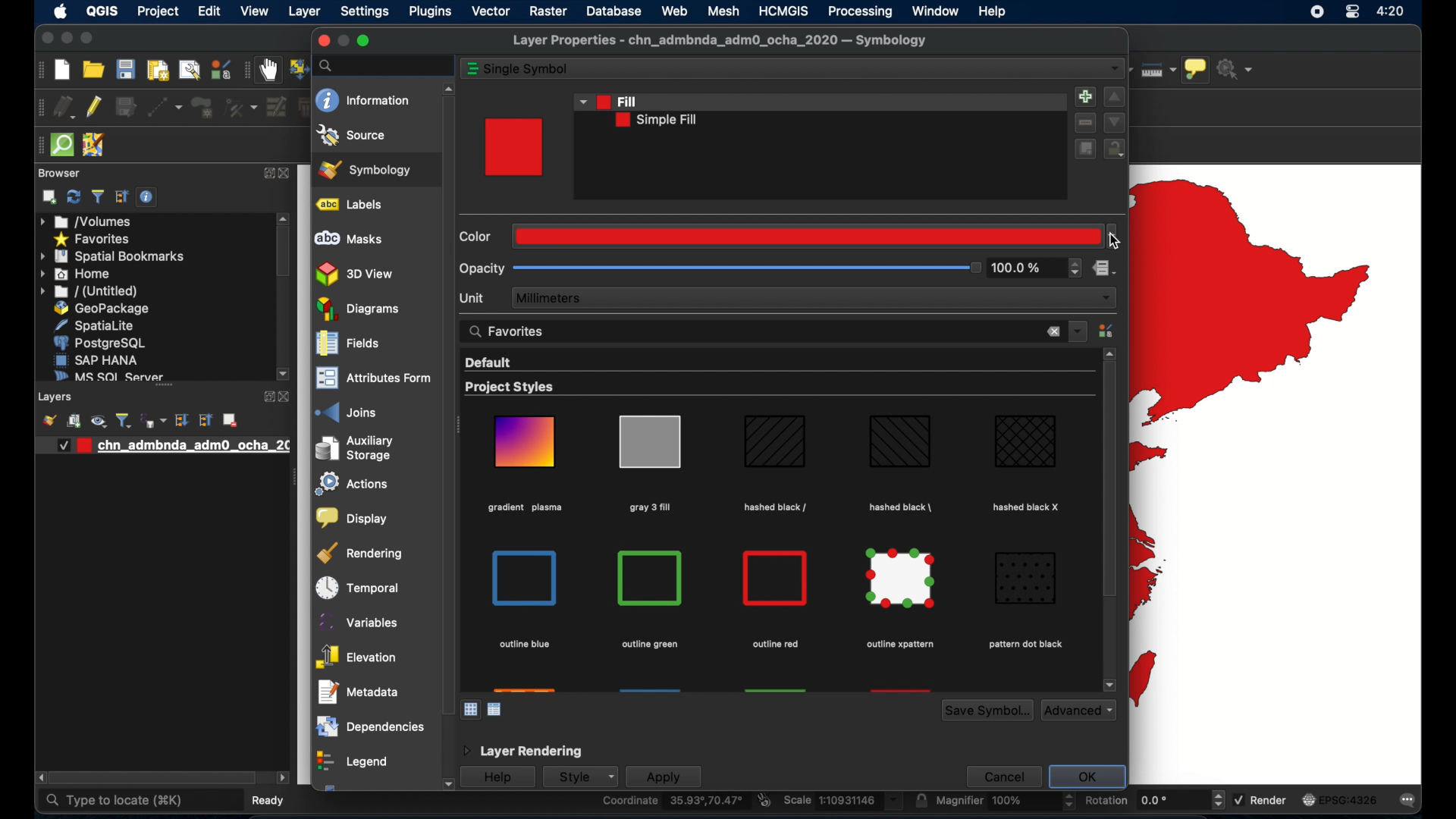 Image resolution: width=1456 pixels, height=819 pixels. What do you see at coordinates (181, 420) in the screenshot?
I see `expand` at bounding box center [181, 420].